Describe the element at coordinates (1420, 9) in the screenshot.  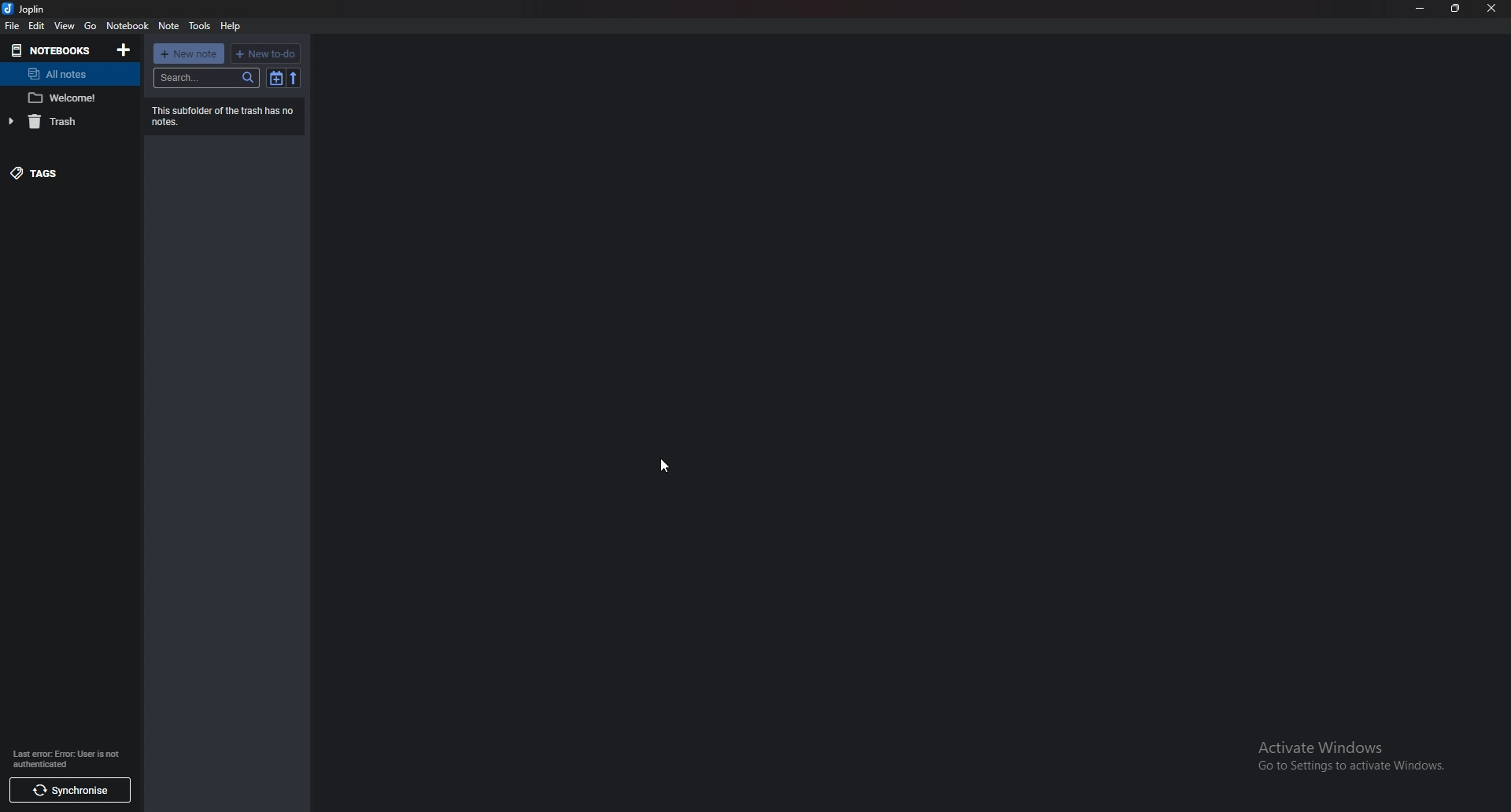
I see `minimize` at that location.